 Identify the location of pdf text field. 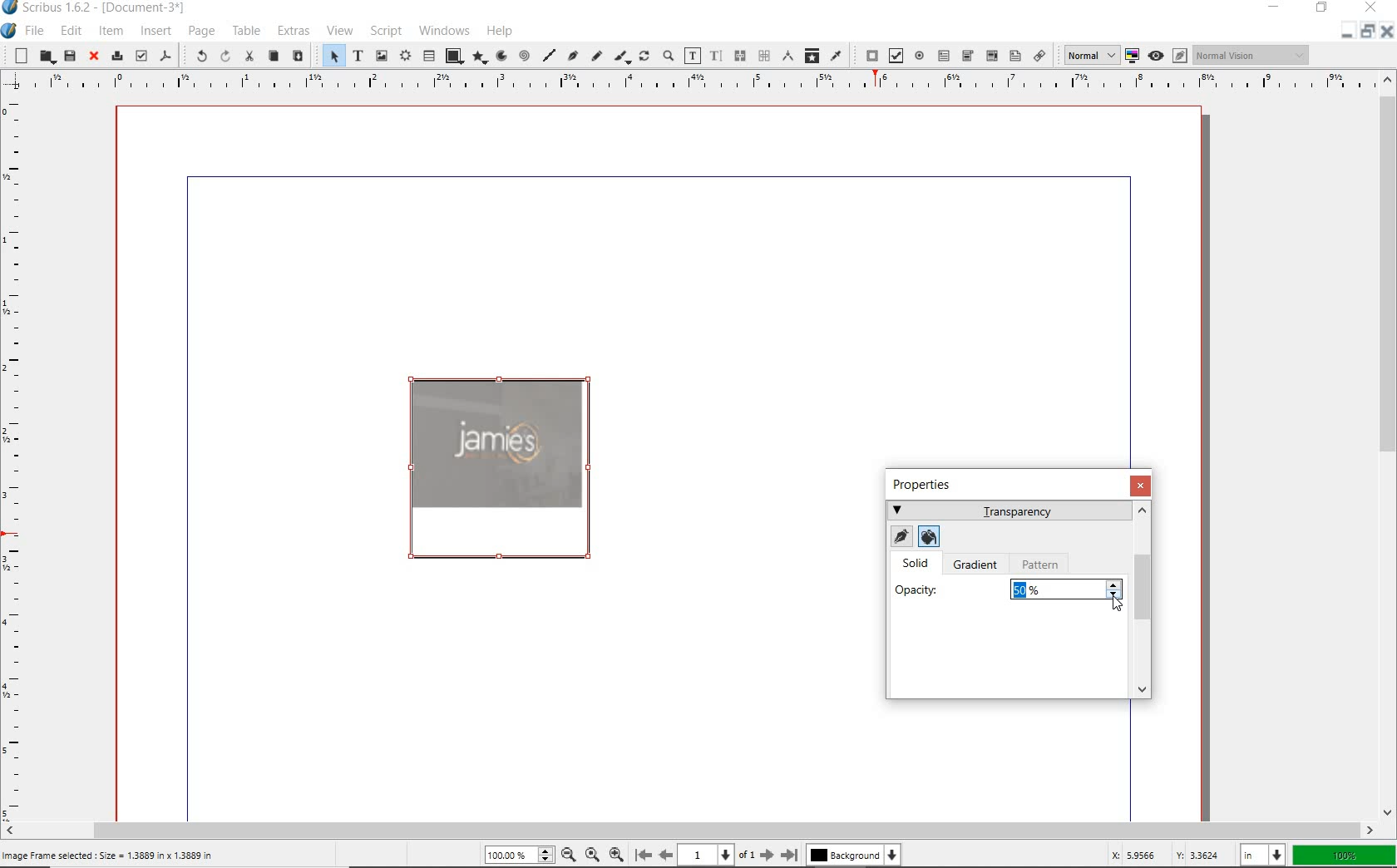
(945, 57).